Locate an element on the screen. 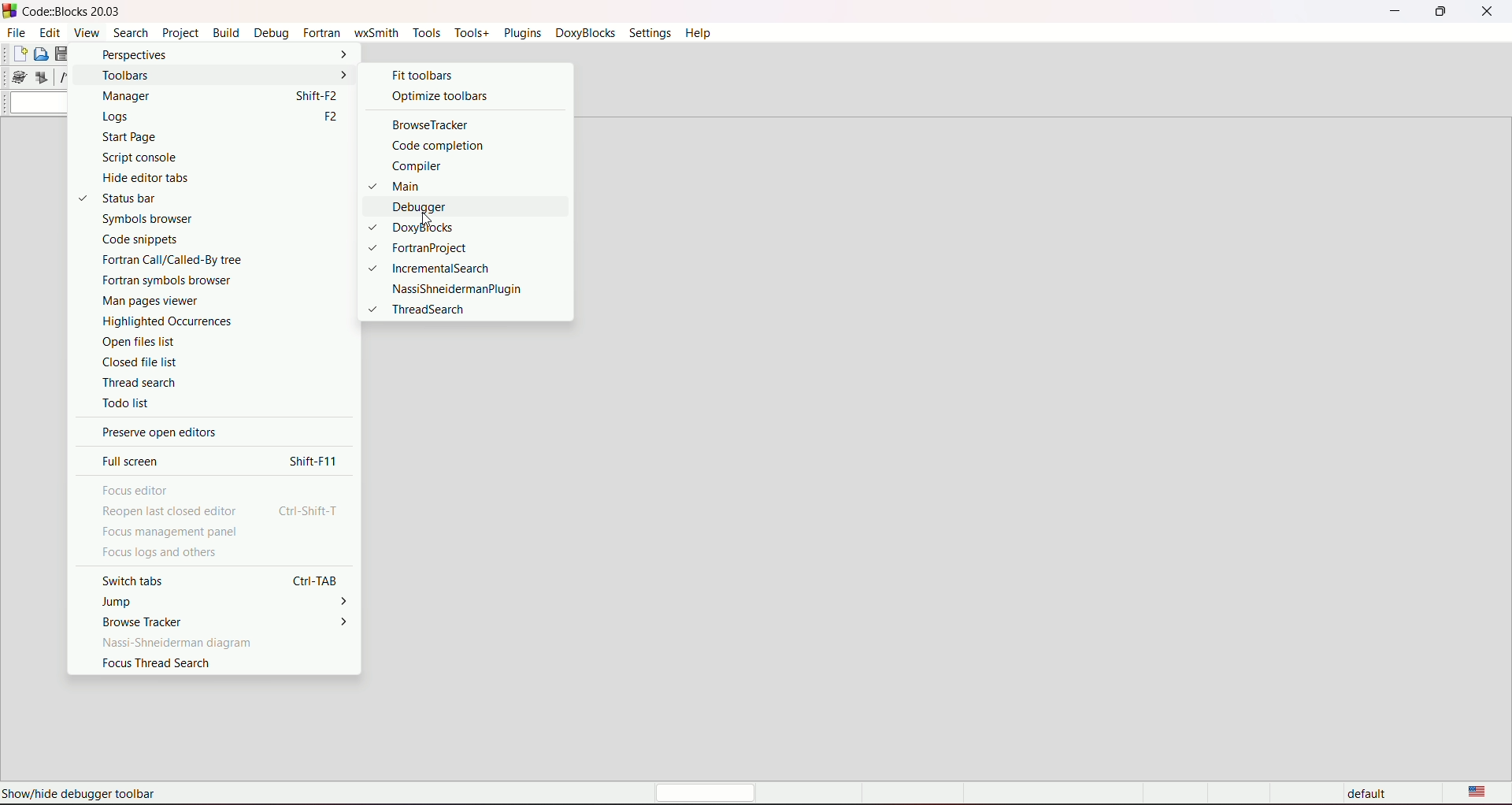 This screenshot has width=1512, height=805. plugins is located at coordinates (521, 33).